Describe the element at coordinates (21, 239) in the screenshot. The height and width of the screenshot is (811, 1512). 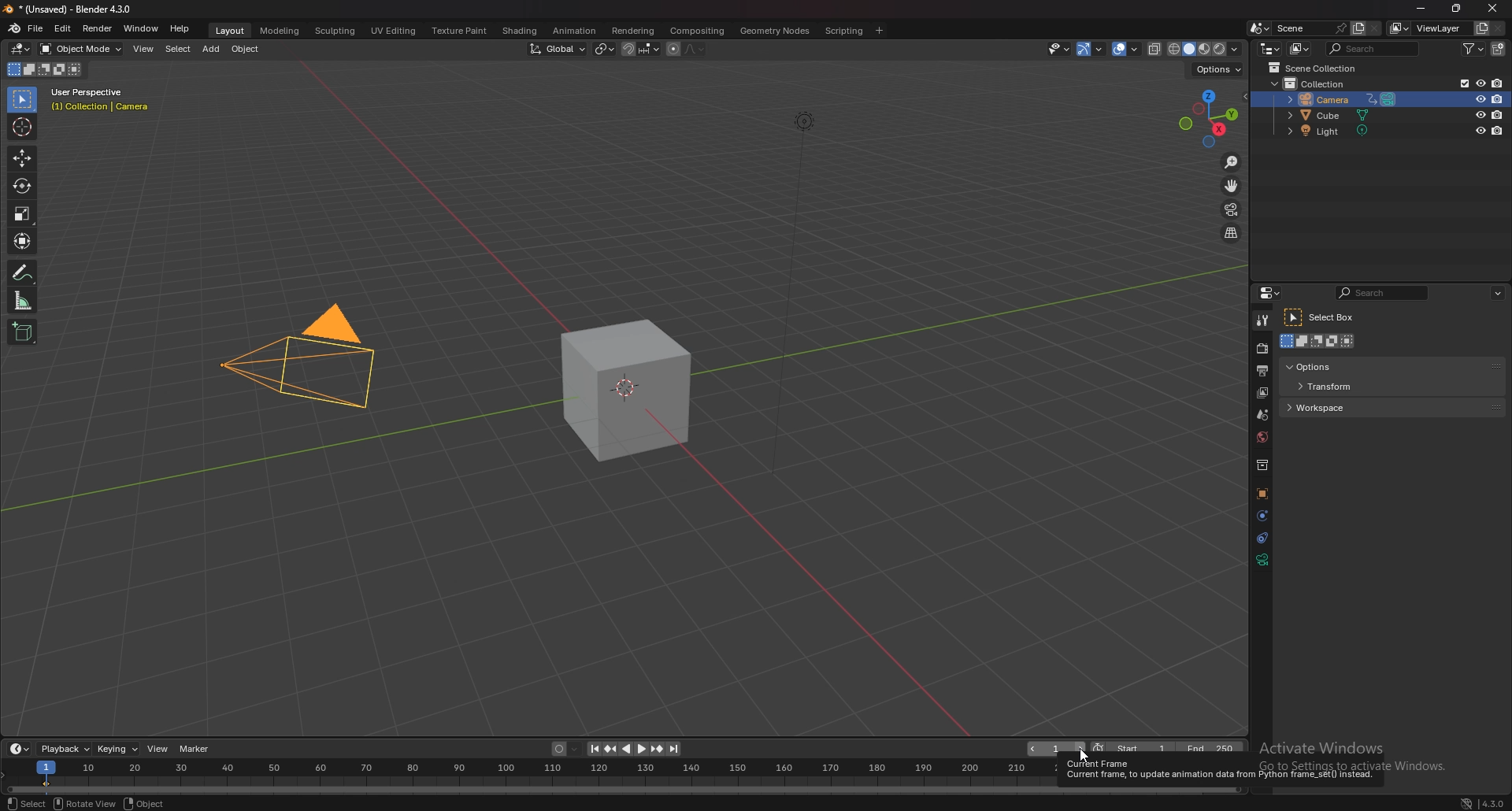
I see `transform` at that location.